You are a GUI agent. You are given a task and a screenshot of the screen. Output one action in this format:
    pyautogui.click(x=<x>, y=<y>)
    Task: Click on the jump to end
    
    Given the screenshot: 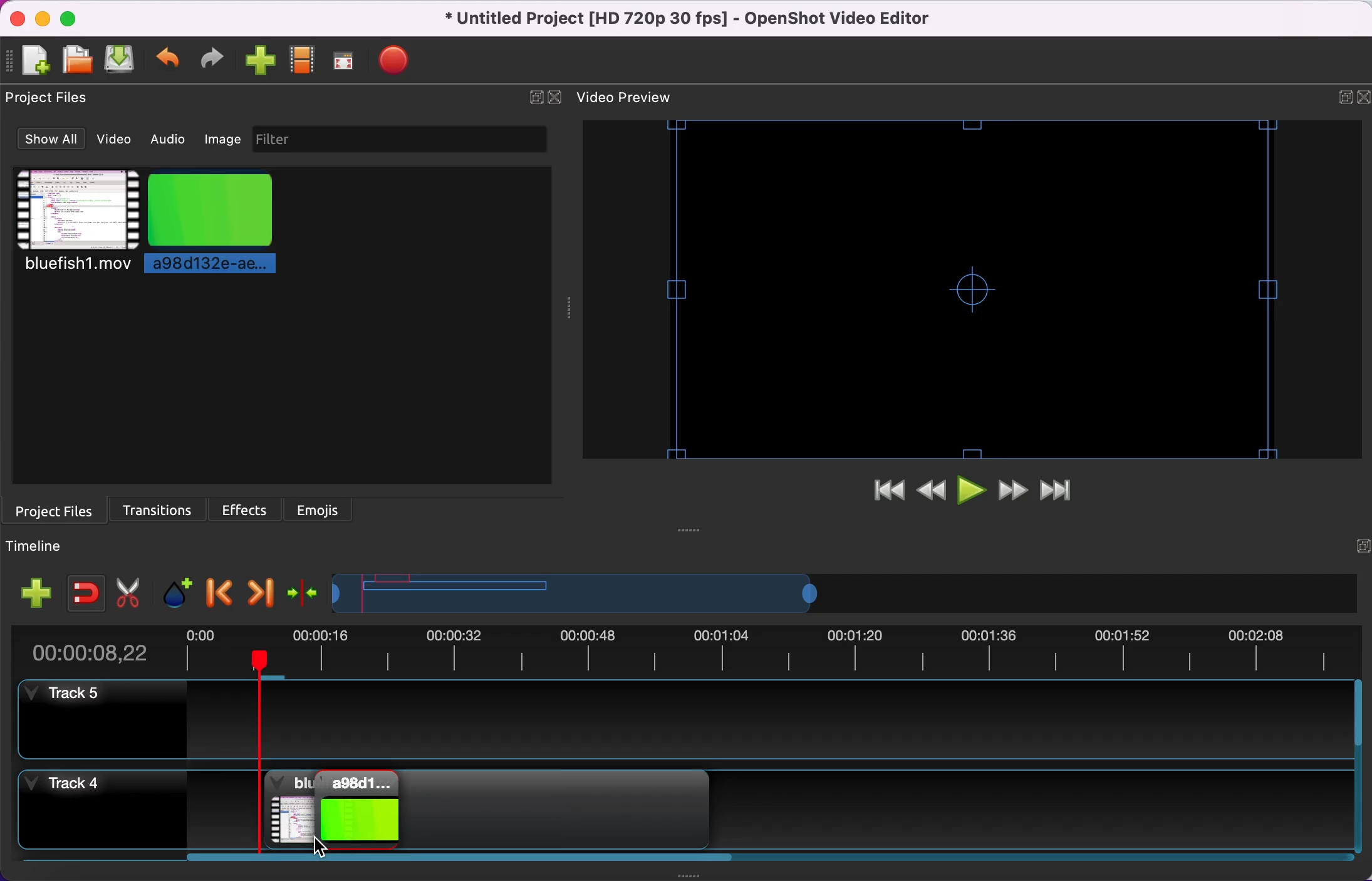 What is the action you would take?
    pyautogui.click(x=1069, y=491)
    